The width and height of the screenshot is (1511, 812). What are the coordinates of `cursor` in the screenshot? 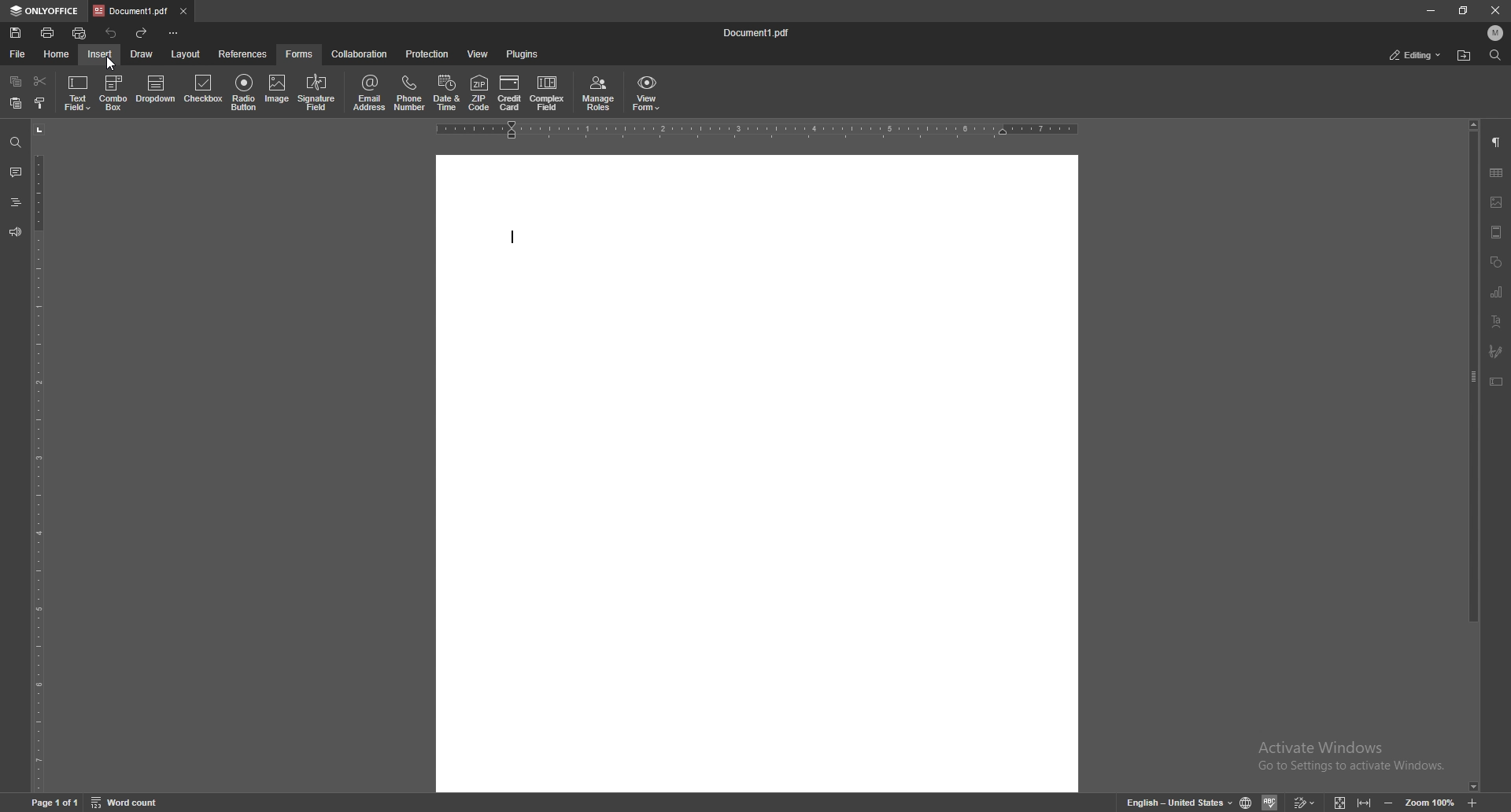 It's located at (111, 65).